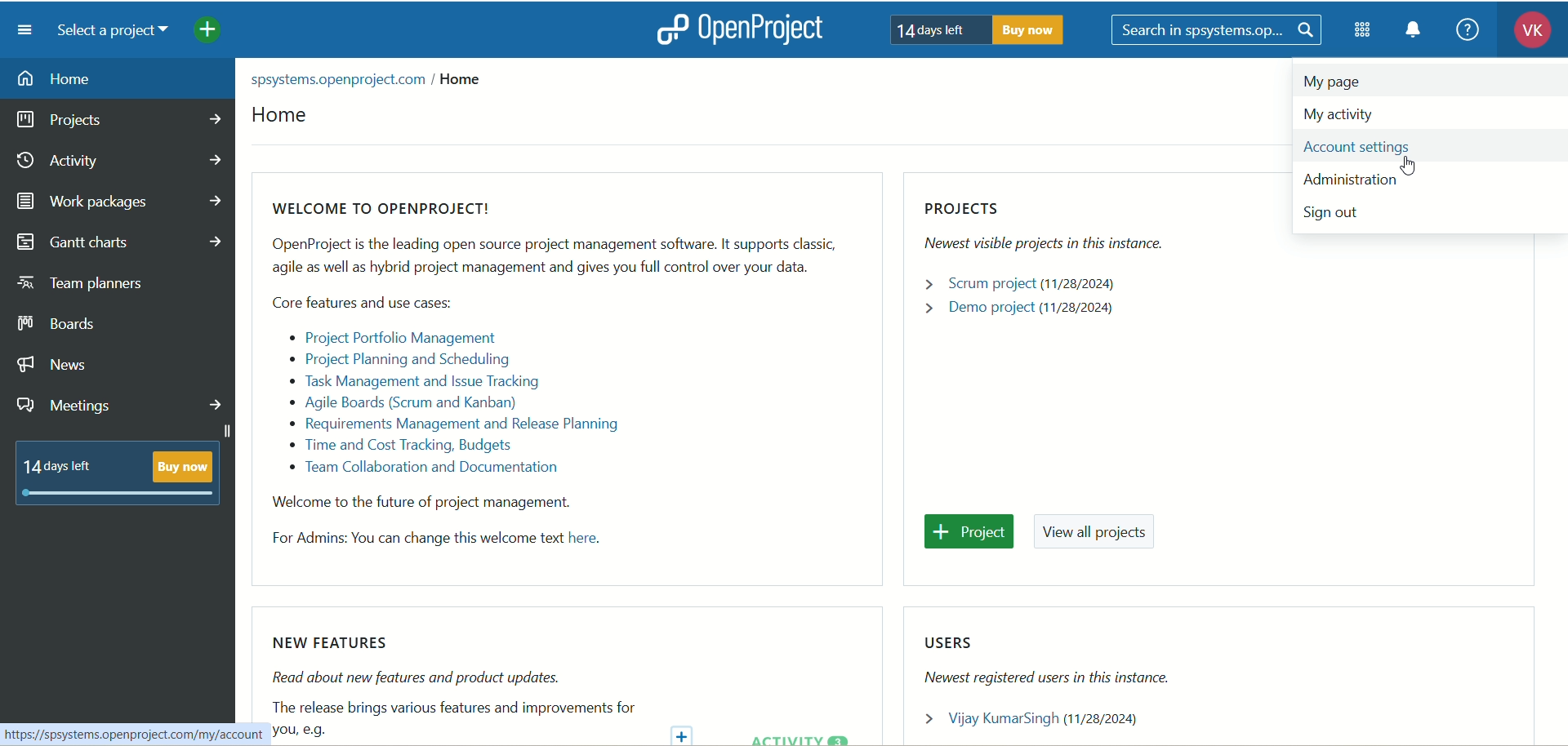 Image resolution: width=1568 pixels, height=746 pixels. Describe the element at coordinates (82, 283) in the screenshot. I see `team planners` at that location.